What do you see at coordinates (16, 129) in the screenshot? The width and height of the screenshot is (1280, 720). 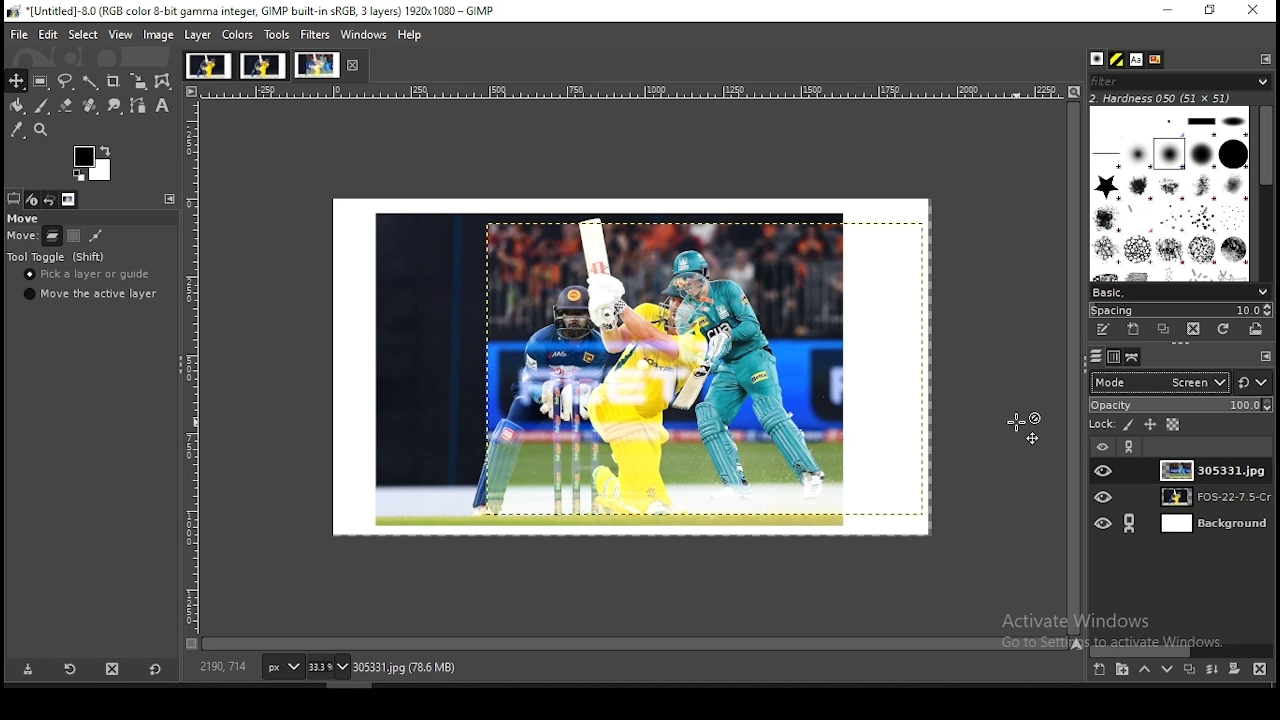 I see `color picker tool` at bounding box center [16, 129].